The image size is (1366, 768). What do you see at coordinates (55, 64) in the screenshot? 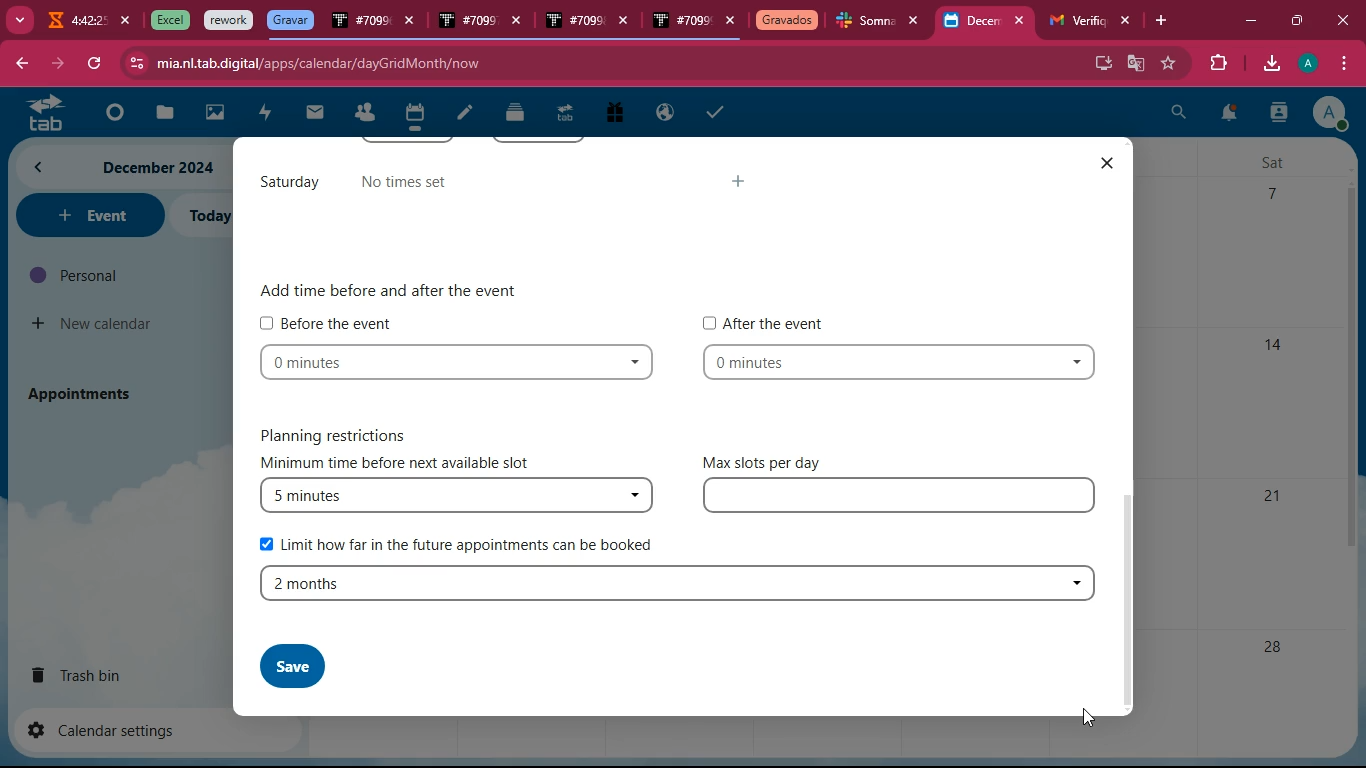
I see `forward` at bounding box center [55, 64].